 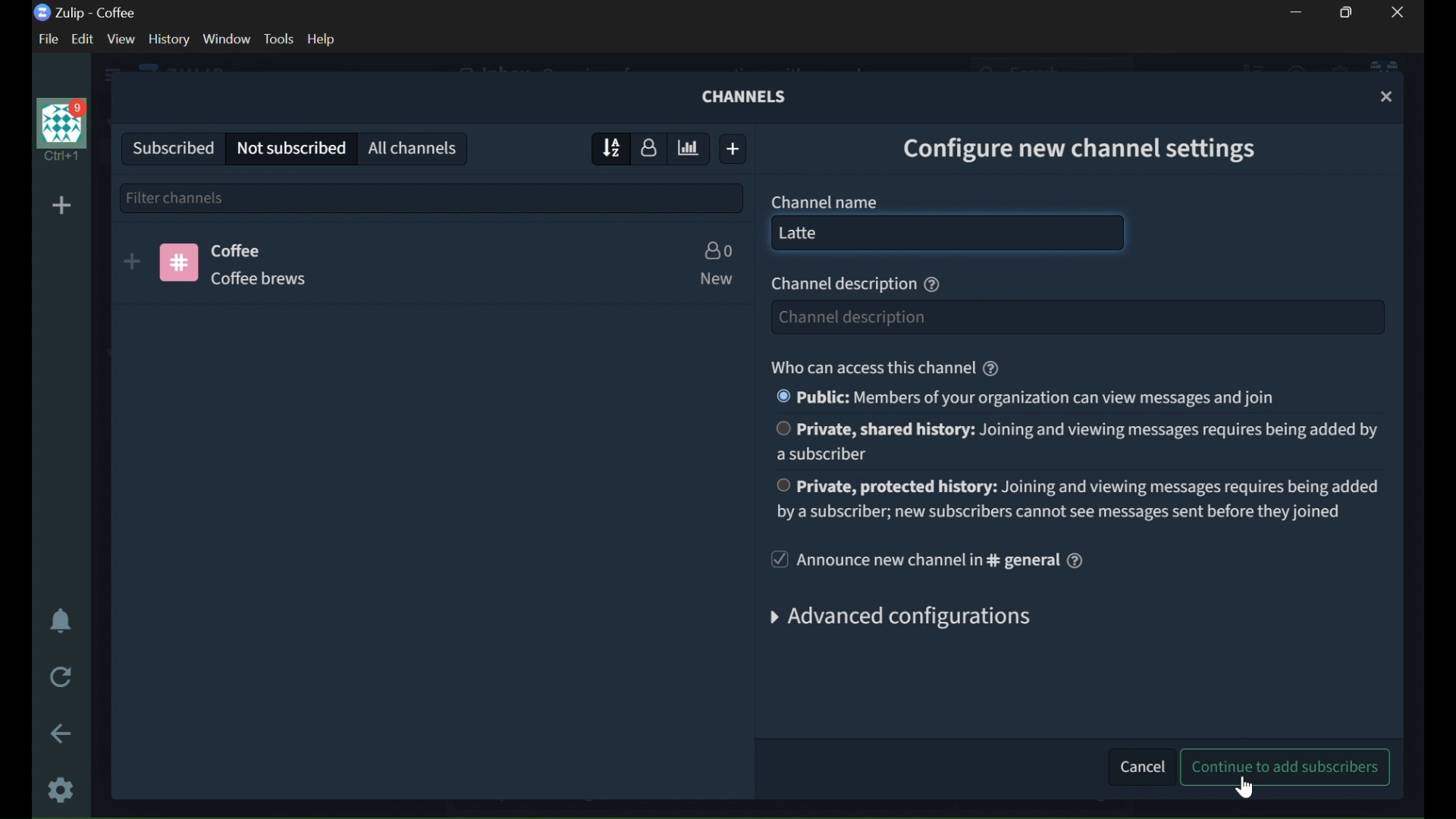 What do you see at coordinates (179, 262) in the screenshot?
I see `CHANNEL LOGO` at bounding box center [179, 262].